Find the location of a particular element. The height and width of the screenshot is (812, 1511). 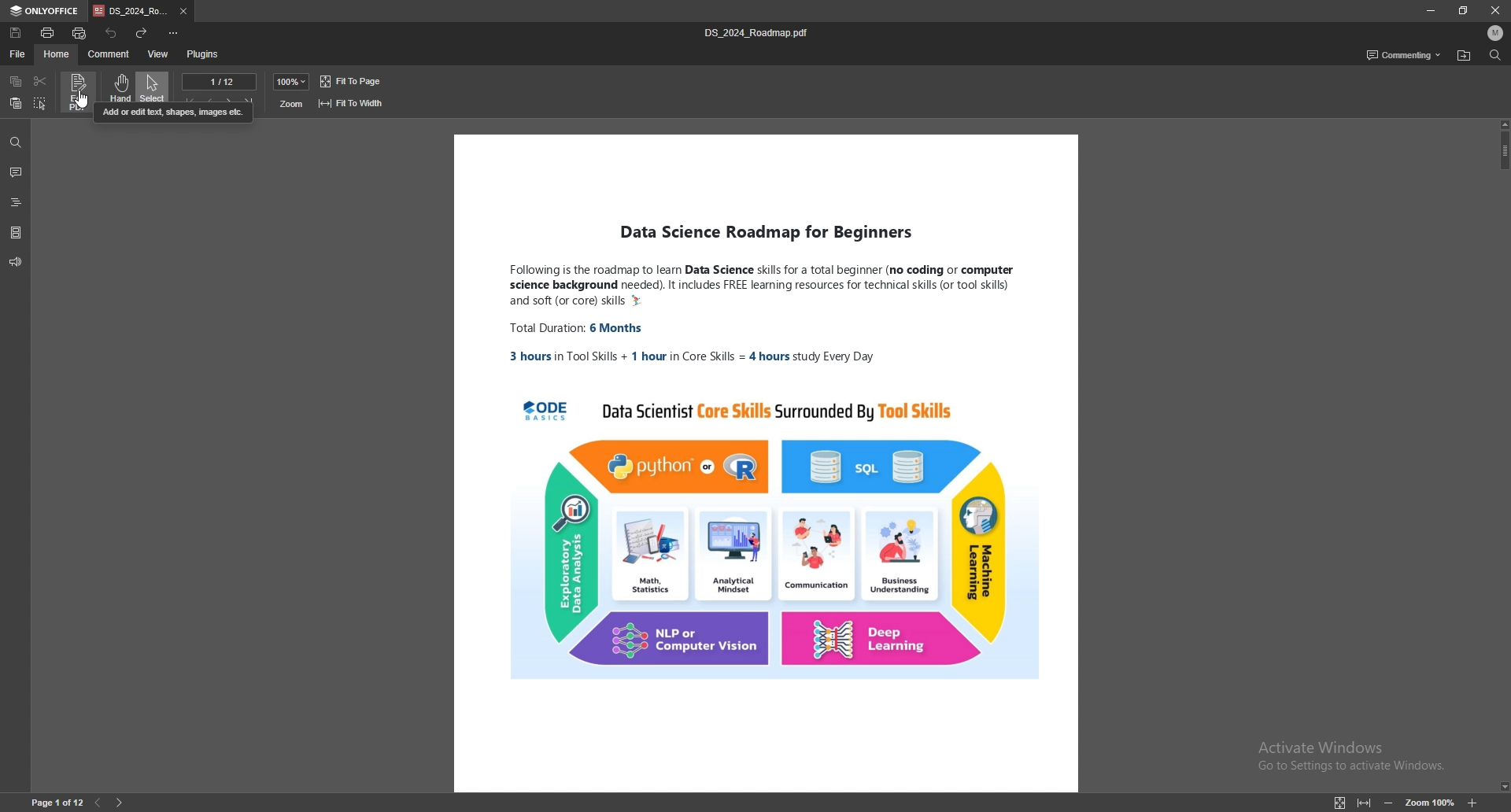

fit to page is located at coordinates (354, 81).